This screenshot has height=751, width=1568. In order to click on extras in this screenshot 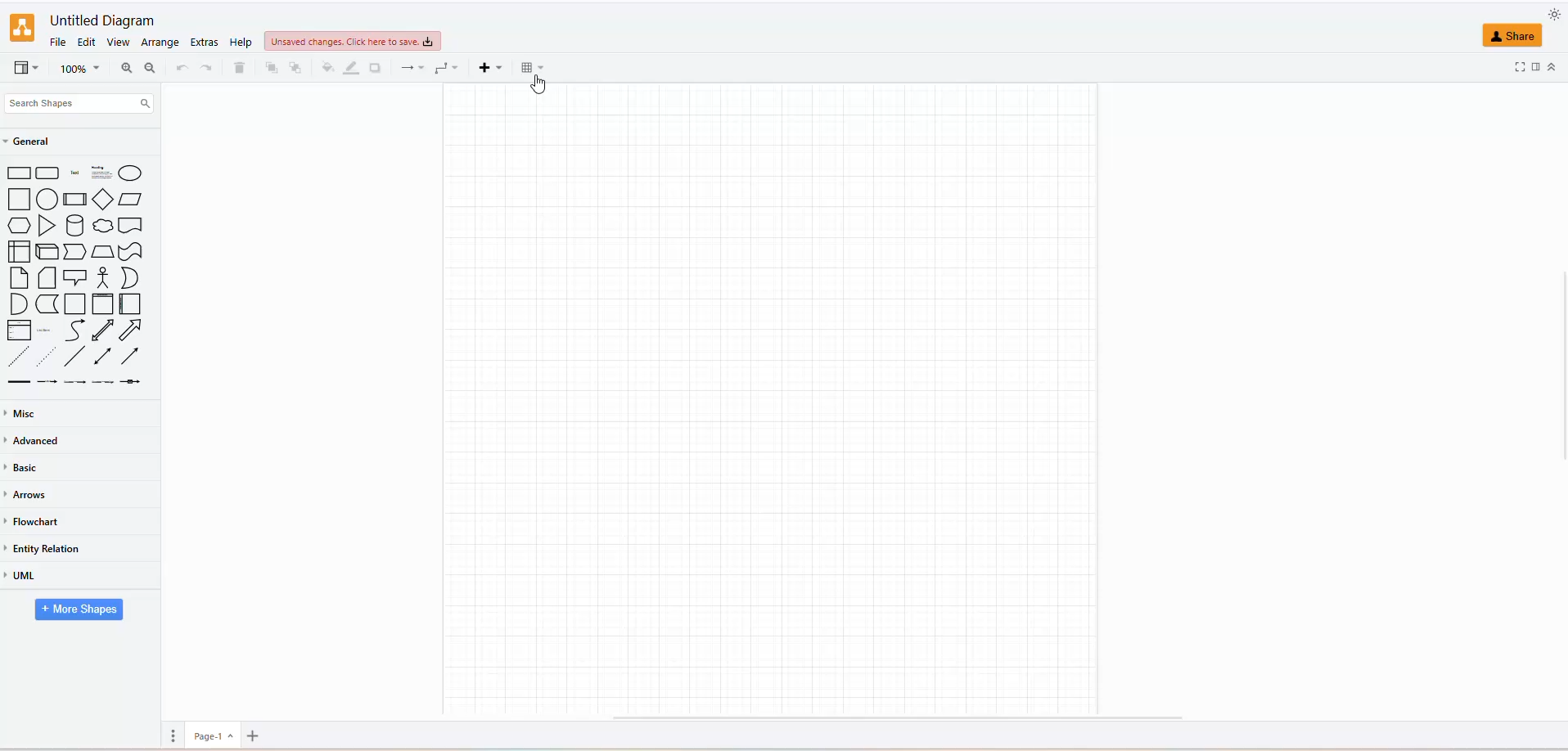, I will do `click(205, 43)`.